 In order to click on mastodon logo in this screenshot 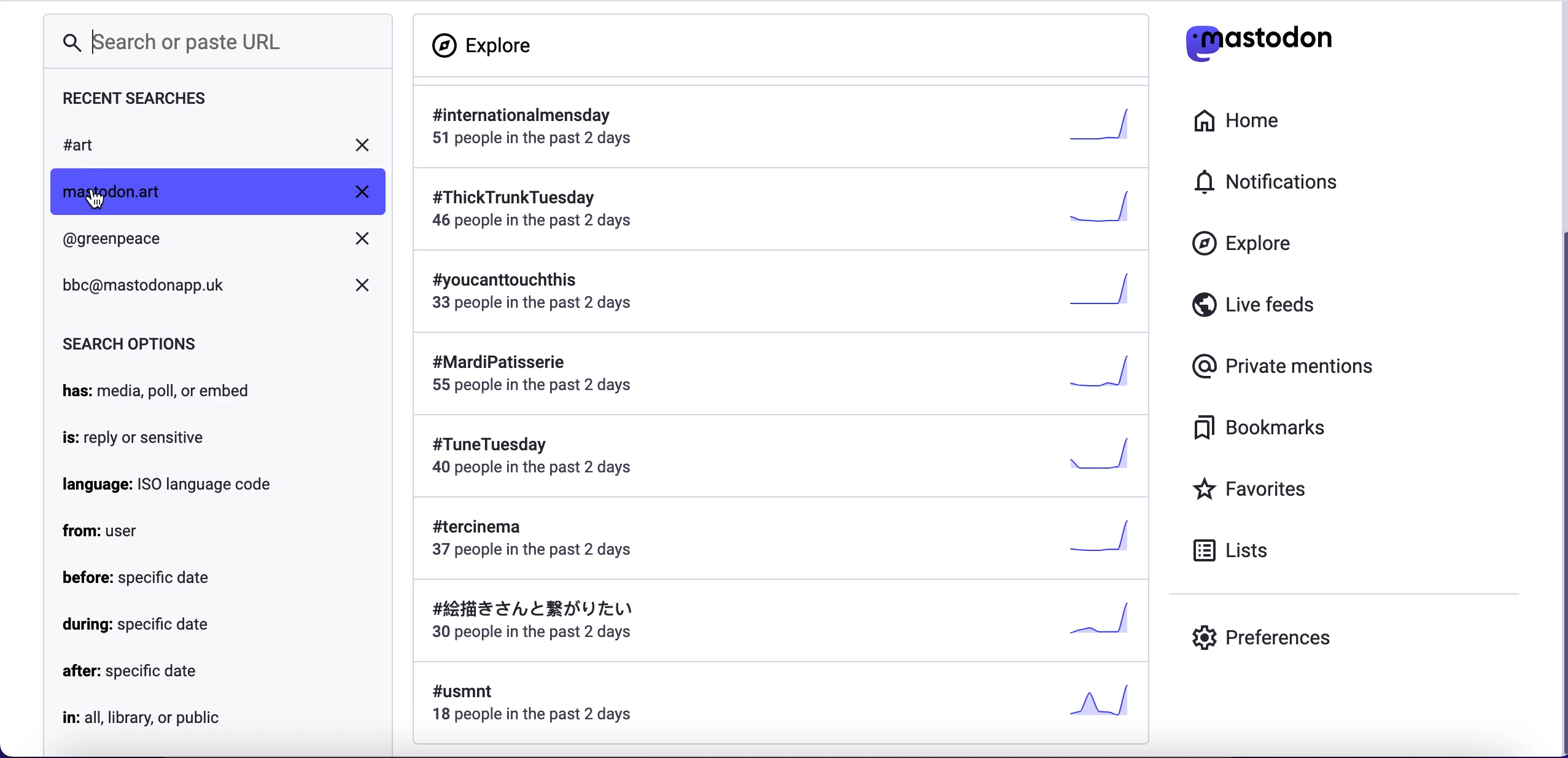, I will do `click(1259, 39)`.